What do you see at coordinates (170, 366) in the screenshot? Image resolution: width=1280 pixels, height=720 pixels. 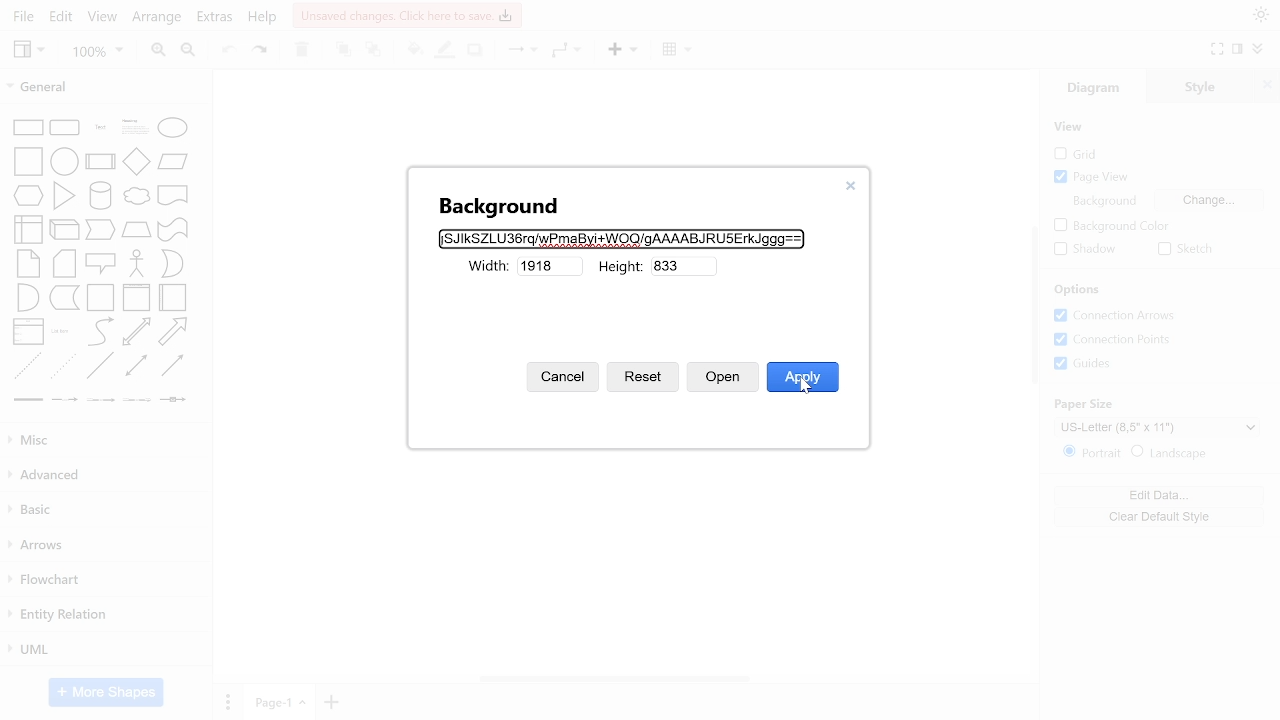 I see `general shapes` at bounding box center [170, 366].